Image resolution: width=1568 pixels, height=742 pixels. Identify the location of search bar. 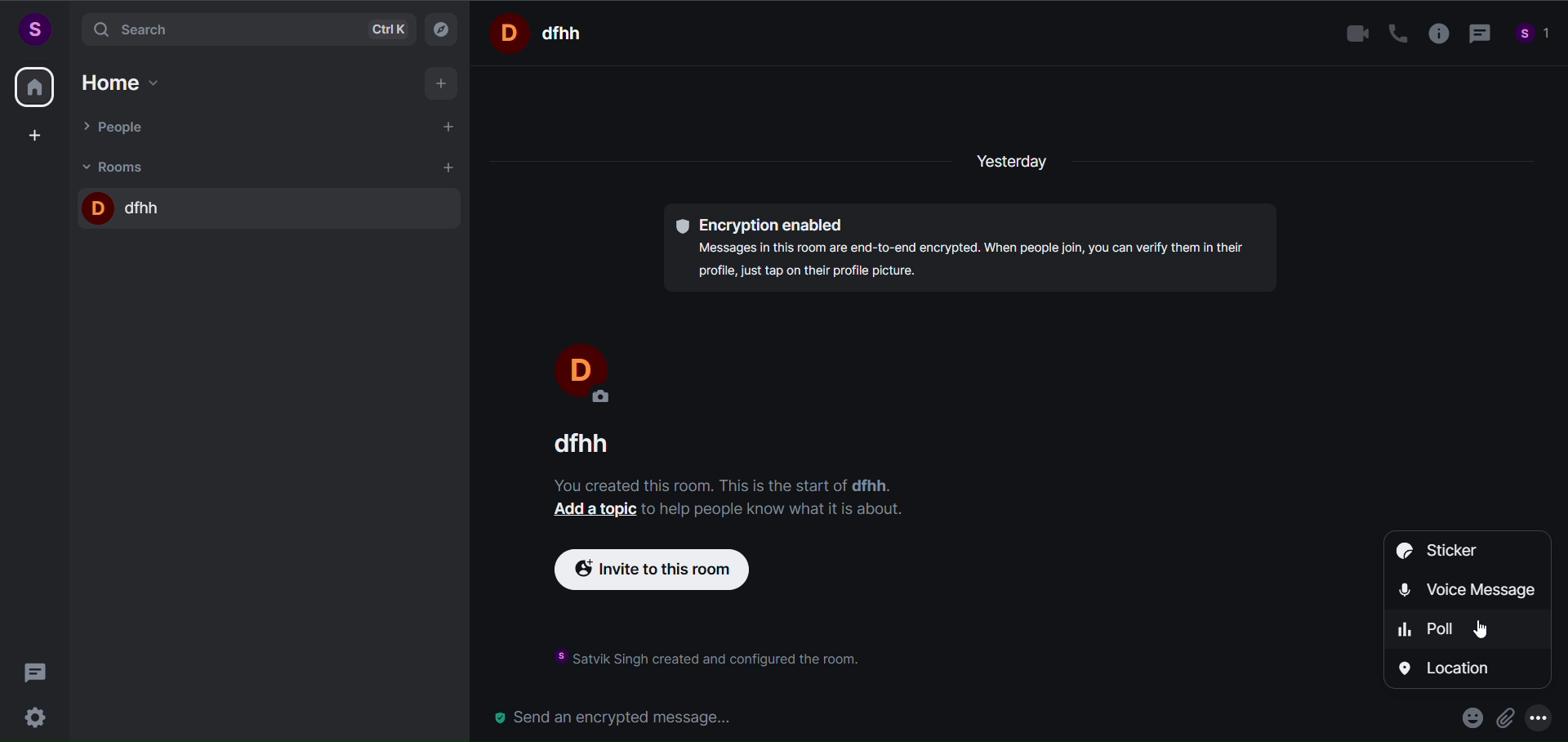
(245, 29).